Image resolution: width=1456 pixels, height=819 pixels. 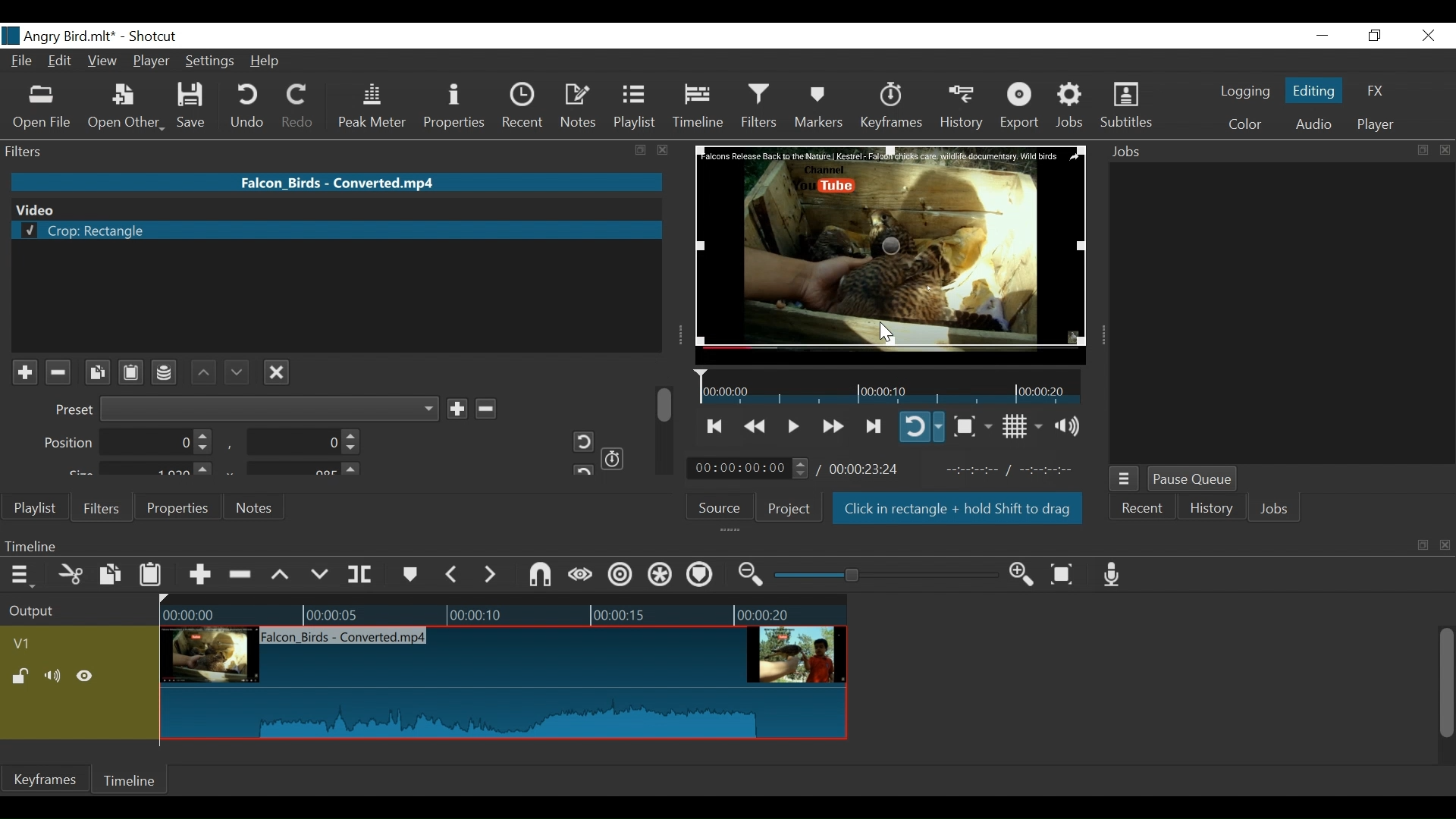 What do you see at coordinates (581, 469) in the screenshot?
I see `restart` at bounding box center [581, 469].